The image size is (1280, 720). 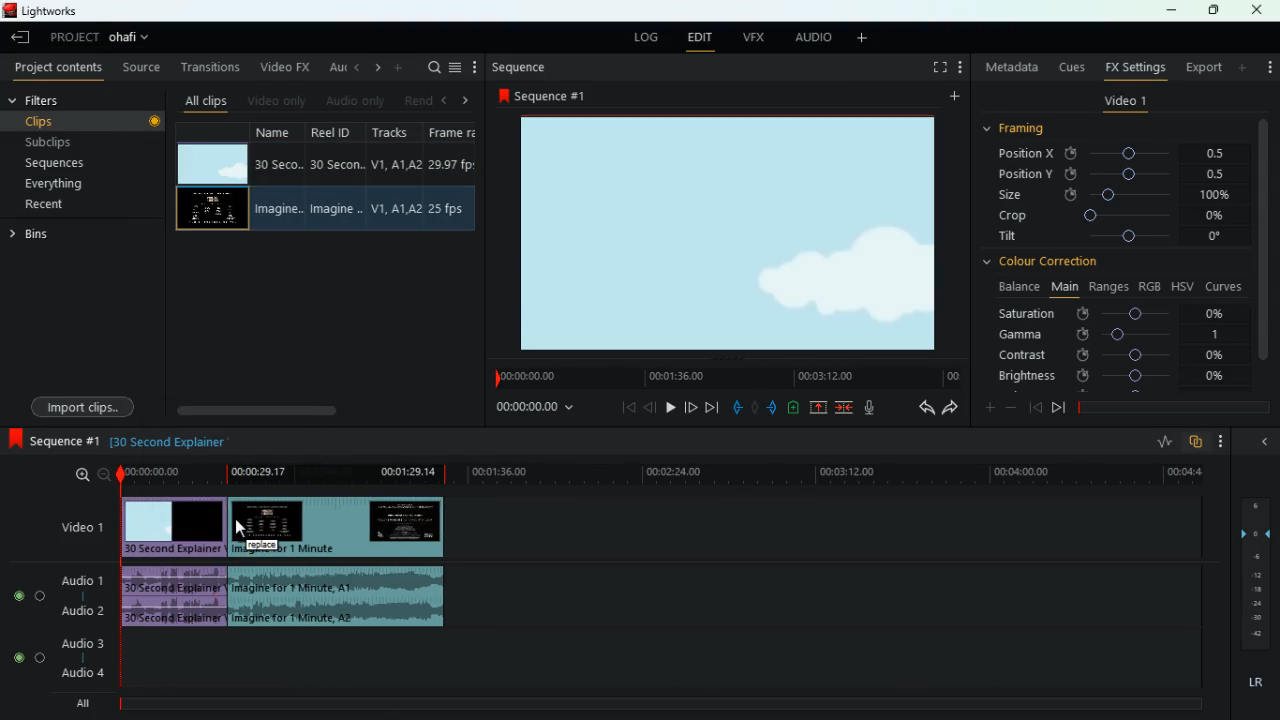 What do you see at coordinates (1121, 173) in the screenshot?
I see `position y` at bounding box center [1121, 173].